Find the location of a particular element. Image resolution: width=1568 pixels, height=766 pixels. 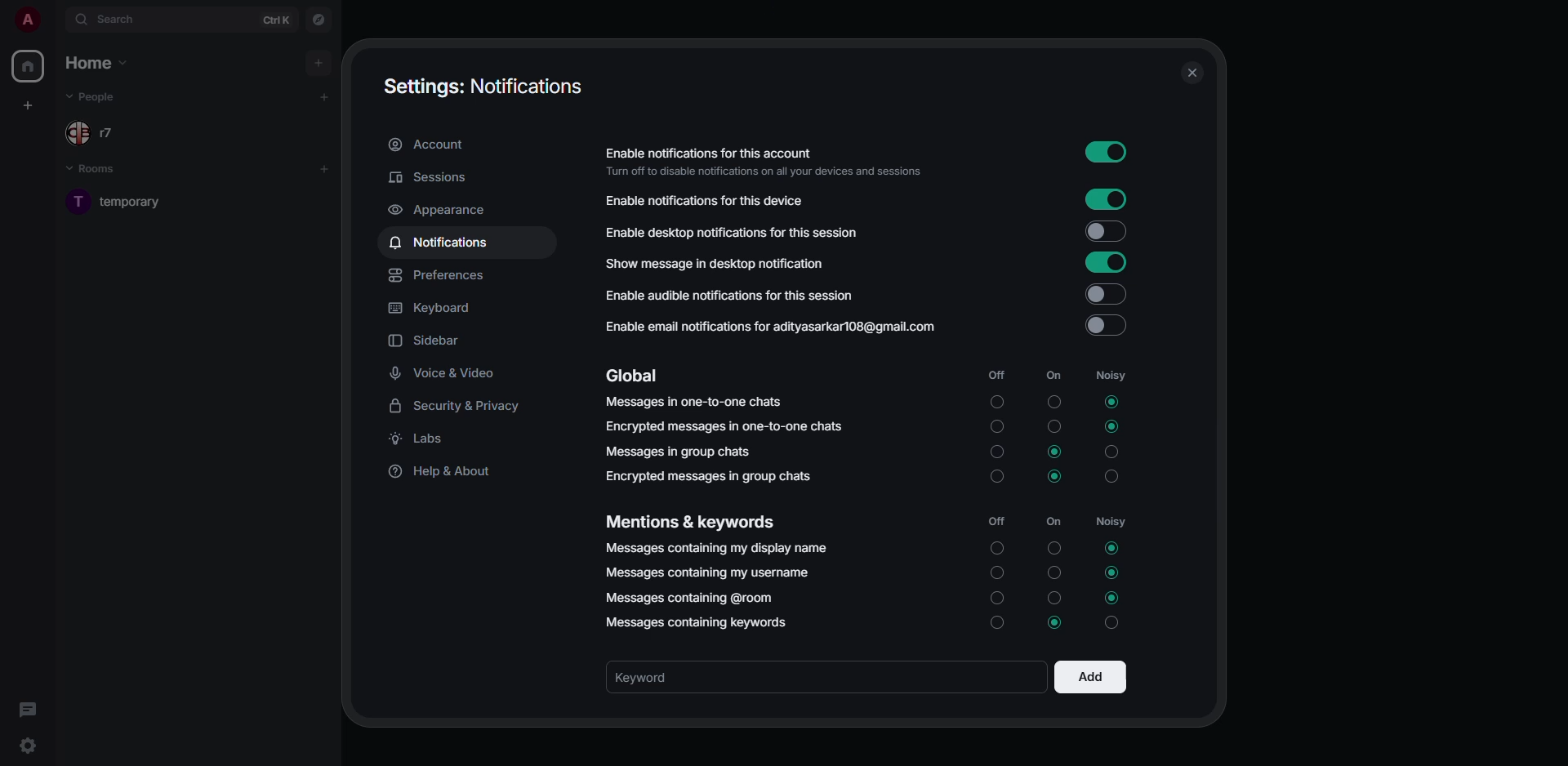

sessions is located at coordinates (428, 177).